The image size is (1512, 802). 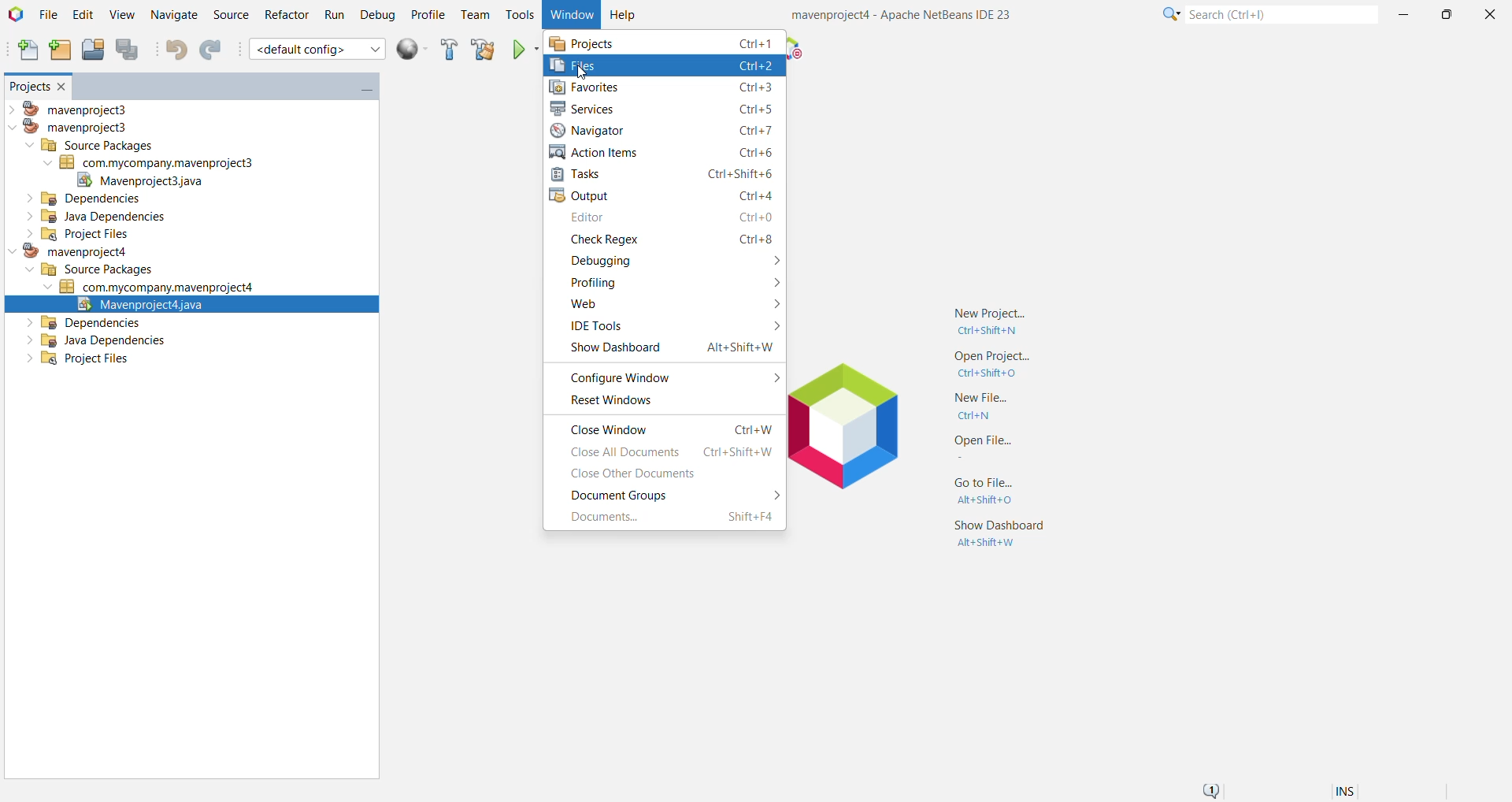 I want to click on Show Dashboard, so click(x=1003, y=534).